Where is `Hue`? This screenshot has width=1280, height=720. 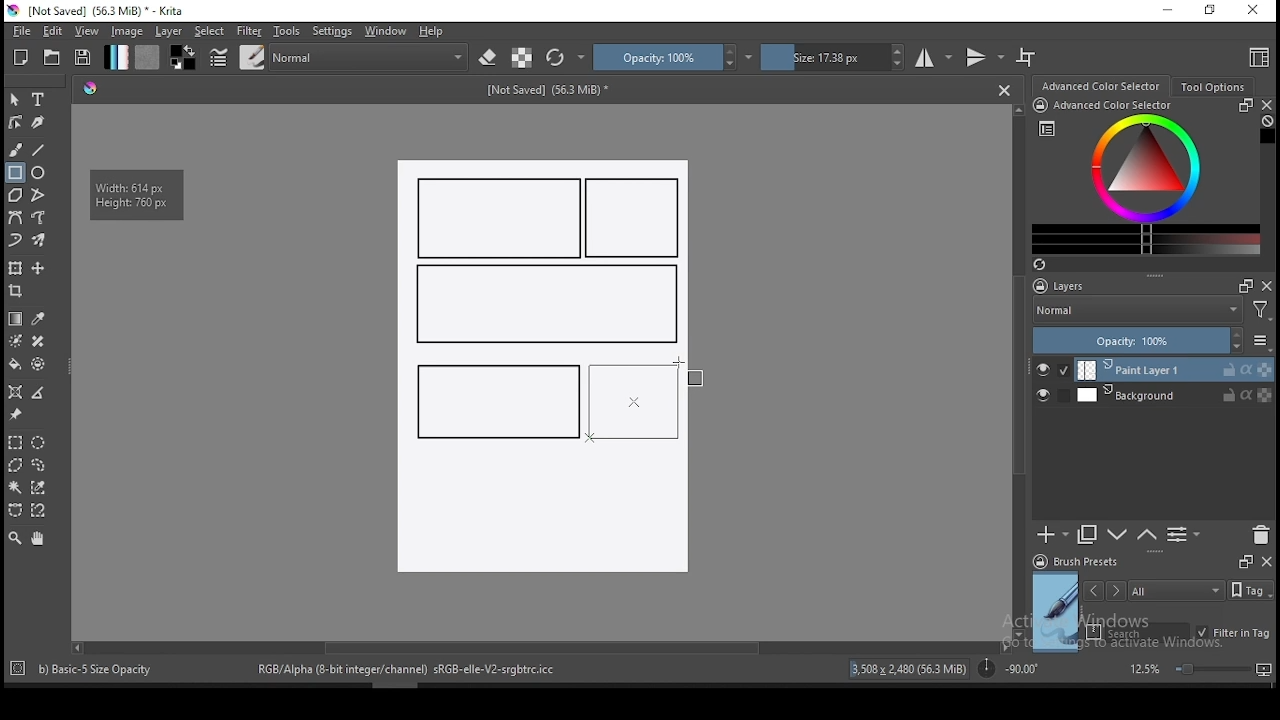 Hue is located at coordinates (90, 88).